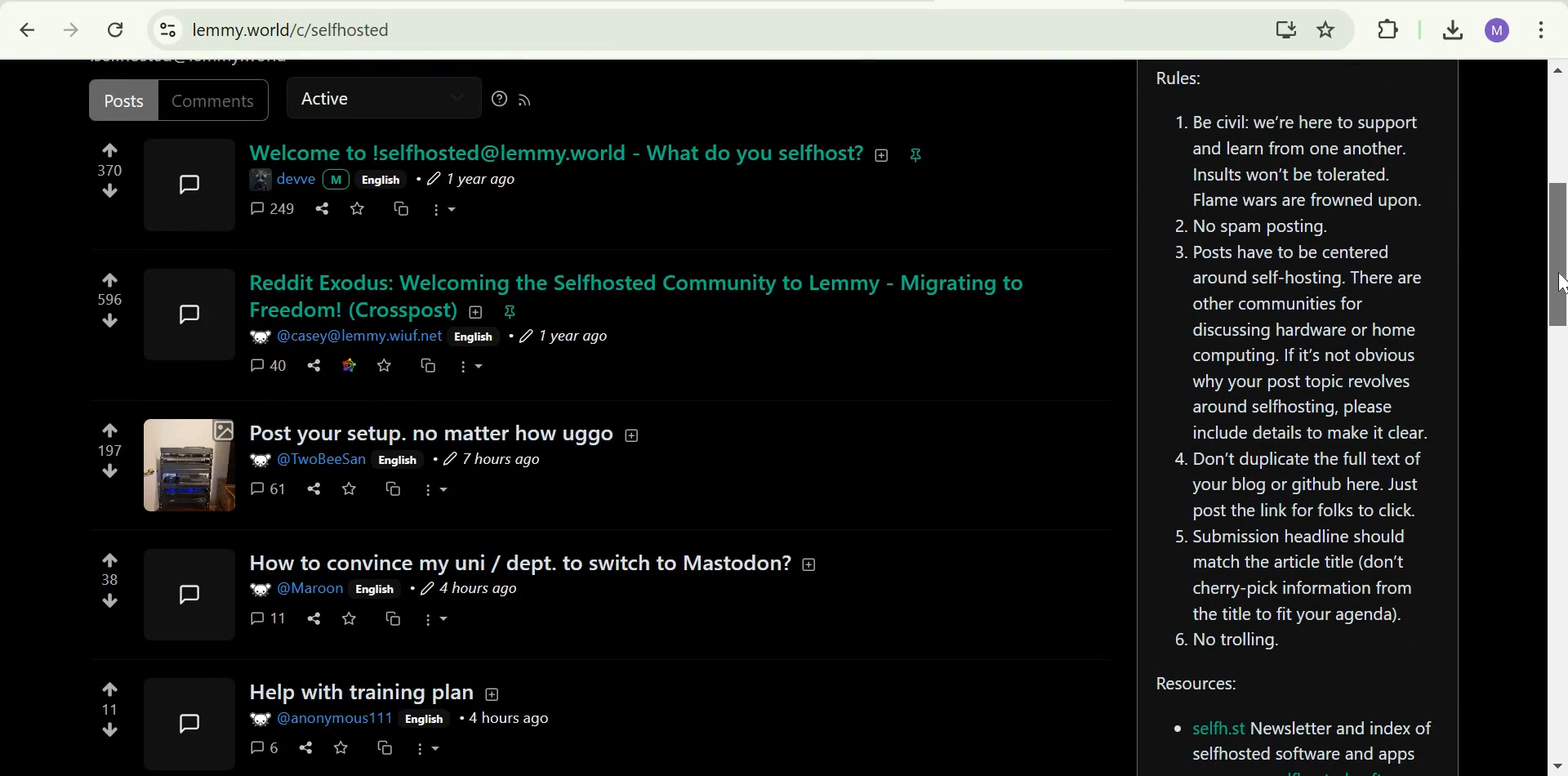 The width and height of the screenshot is (1568, 776). I want to click on Collapse, so click(492, 693).